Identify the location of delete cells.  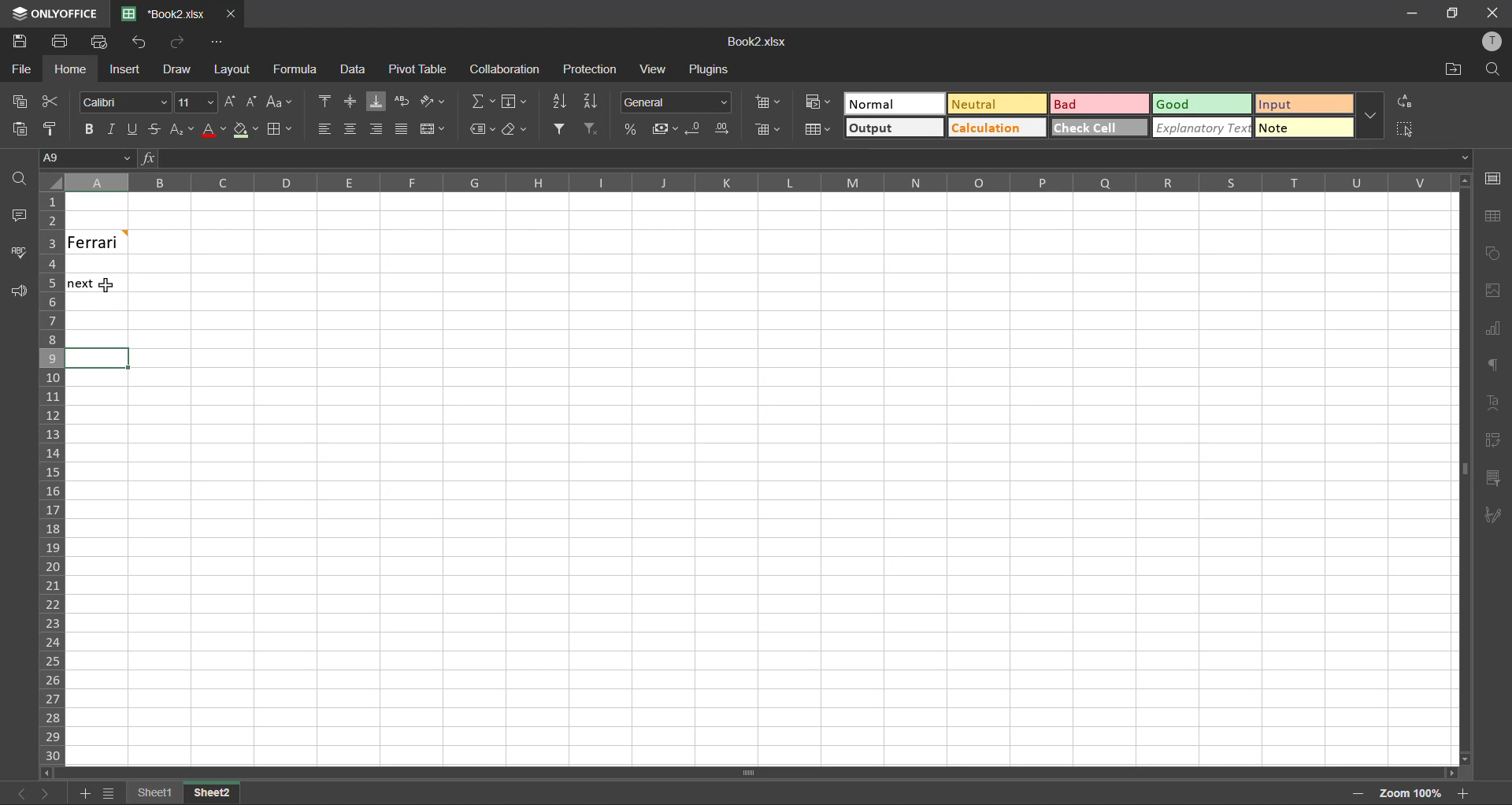
(770, 129).